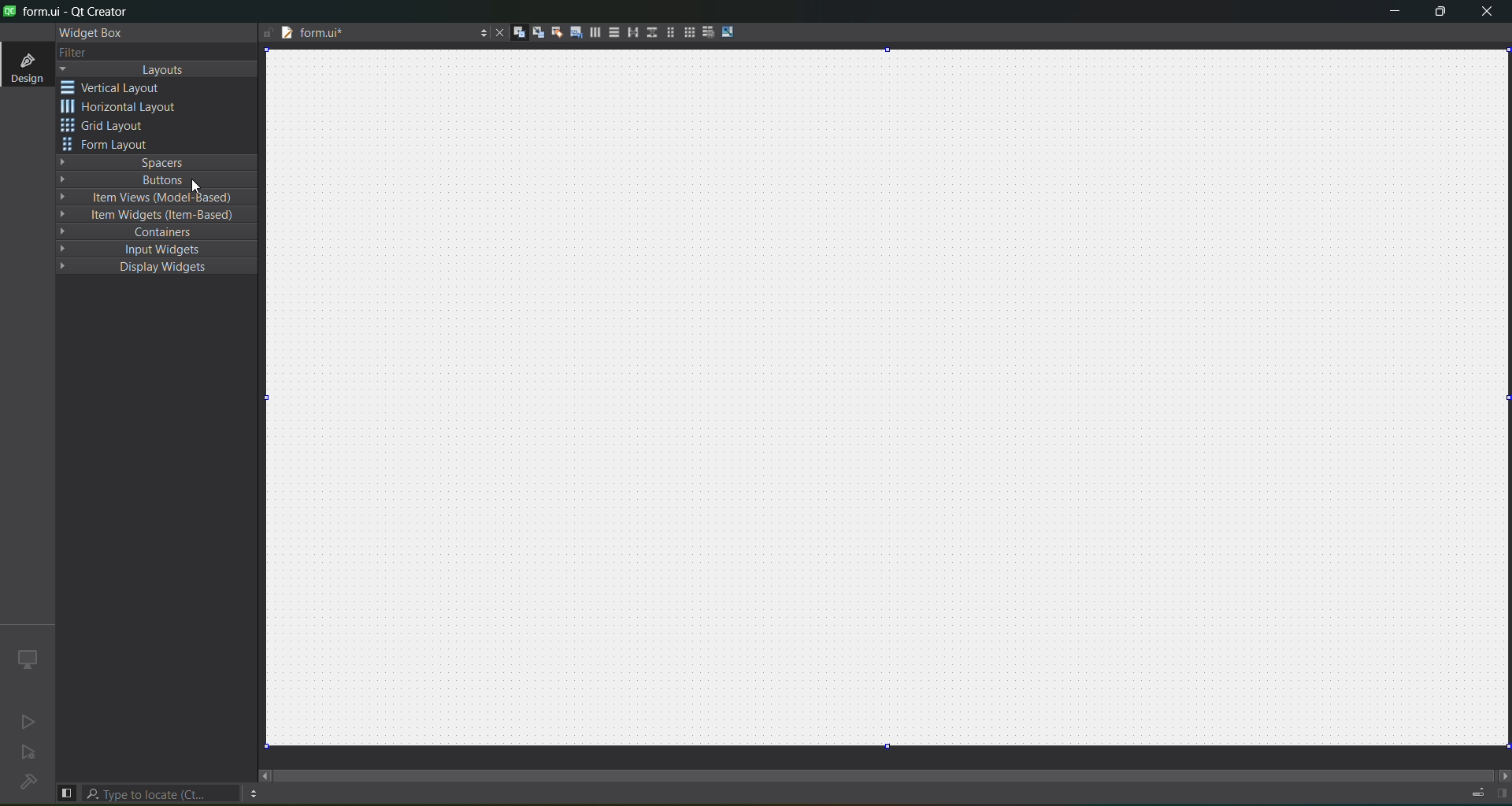 The image size is (1512, 806). Describe the element at coordinates (595, 35) in the screenshot. I see `horizontal layoutt` at that location.